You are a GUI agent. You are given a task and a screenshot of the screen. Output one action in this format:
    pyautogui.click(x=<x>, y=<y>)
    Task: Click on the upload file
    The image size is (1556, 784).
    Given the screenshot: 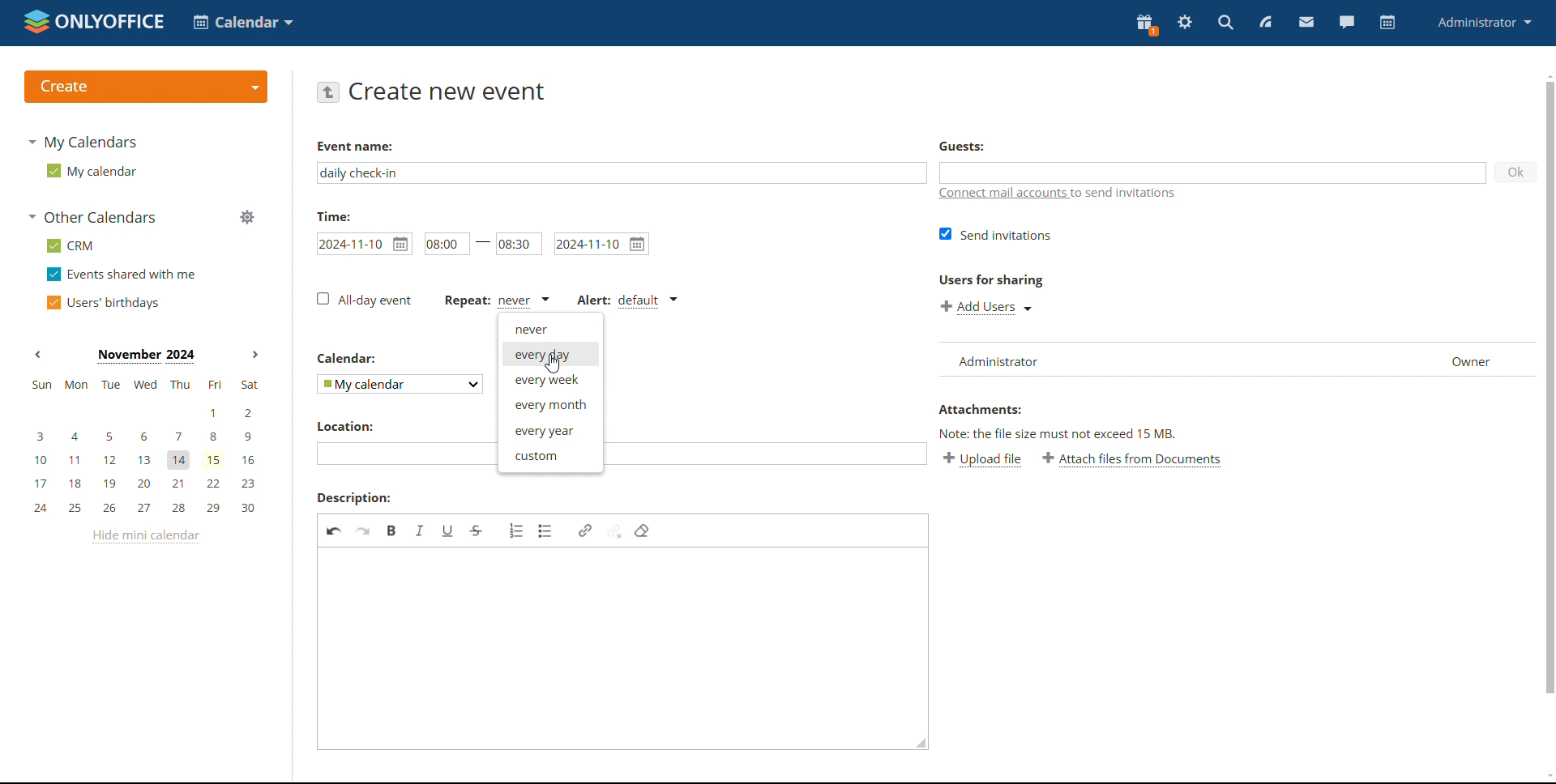 What is the action you would take?
    pyautogui.click(x=984, y=460)
    